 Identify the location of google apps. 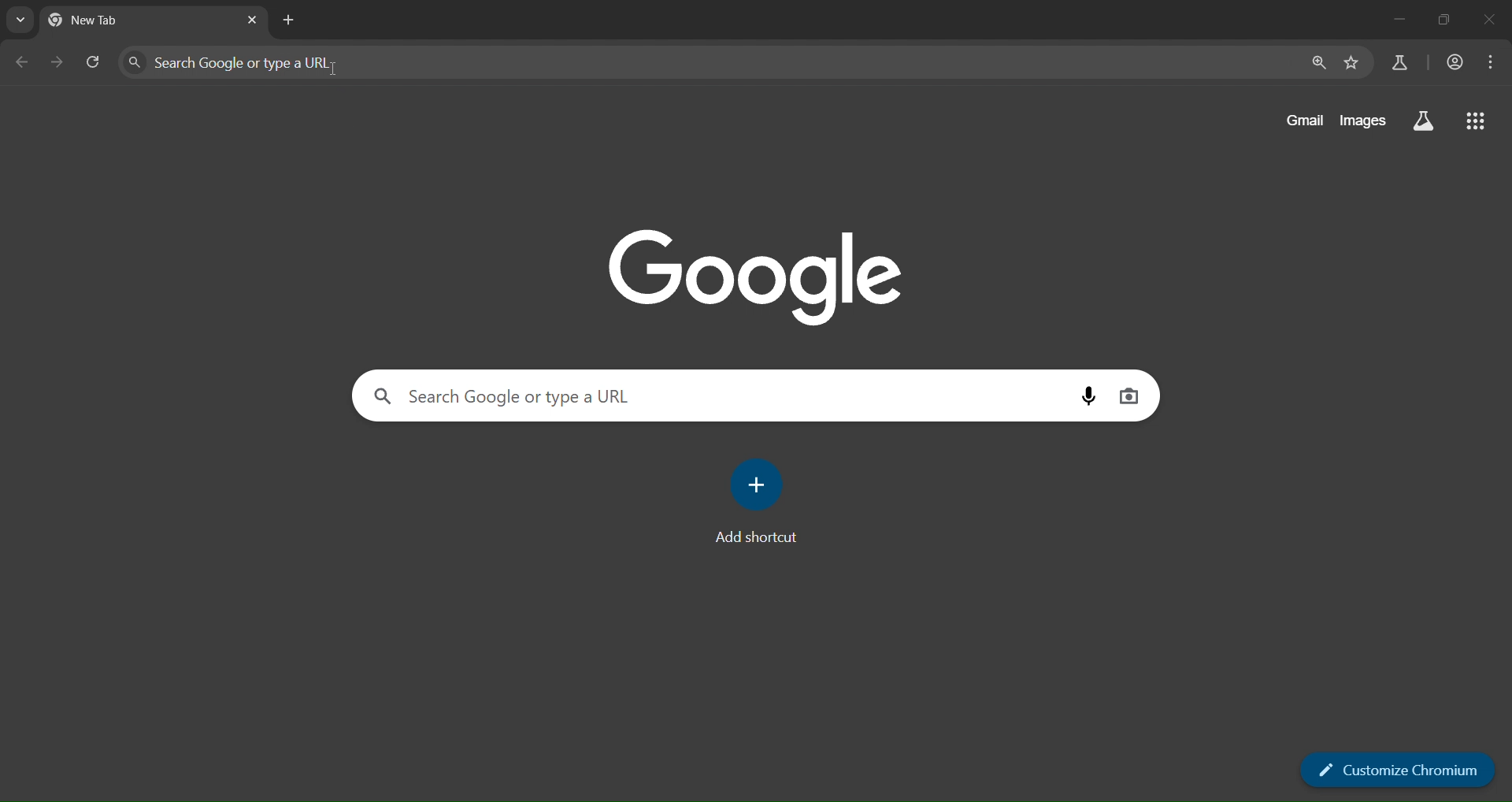
(1476, 119).